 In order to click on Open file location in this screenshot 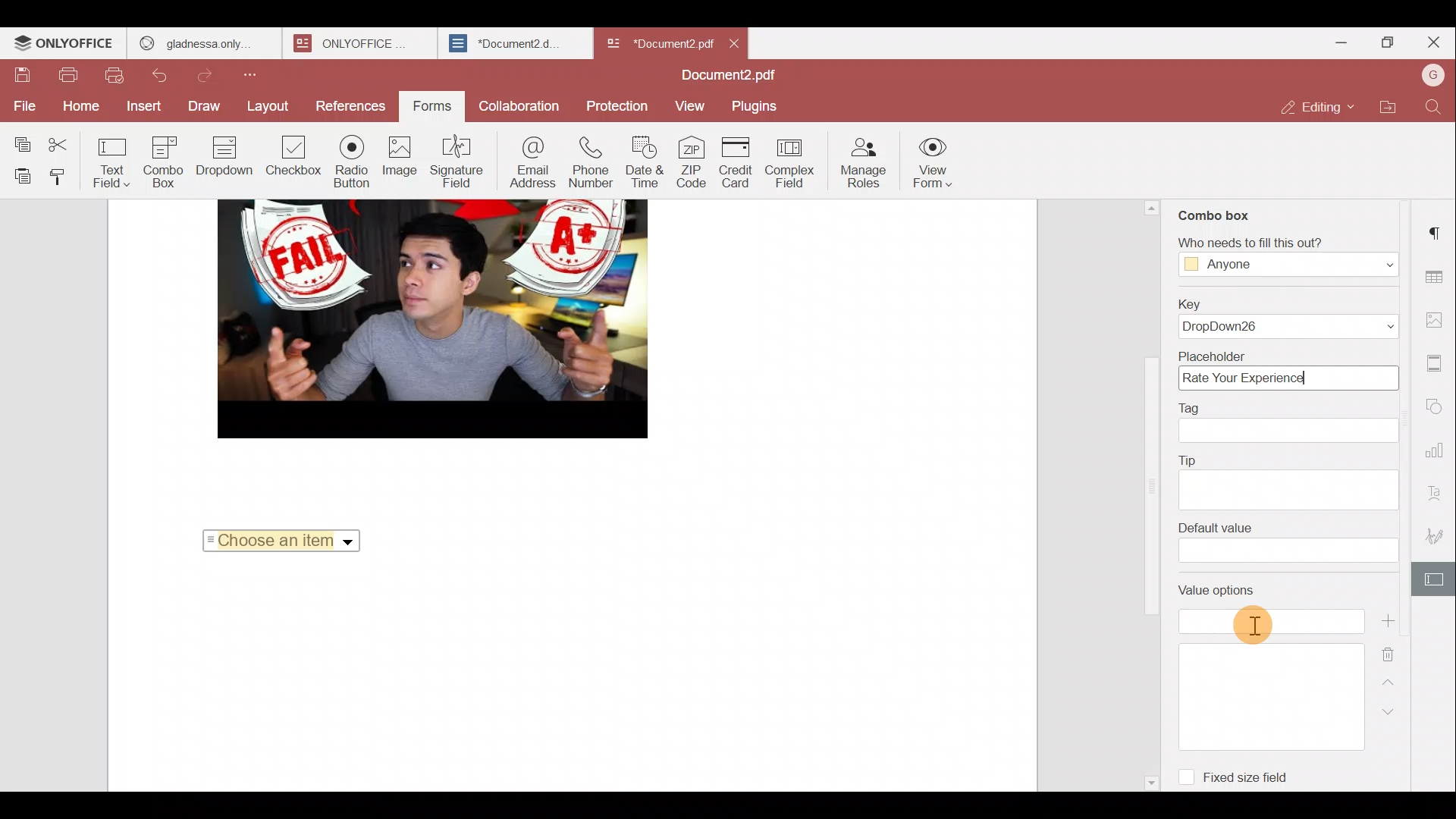, I will do `click(1385, 110)`.